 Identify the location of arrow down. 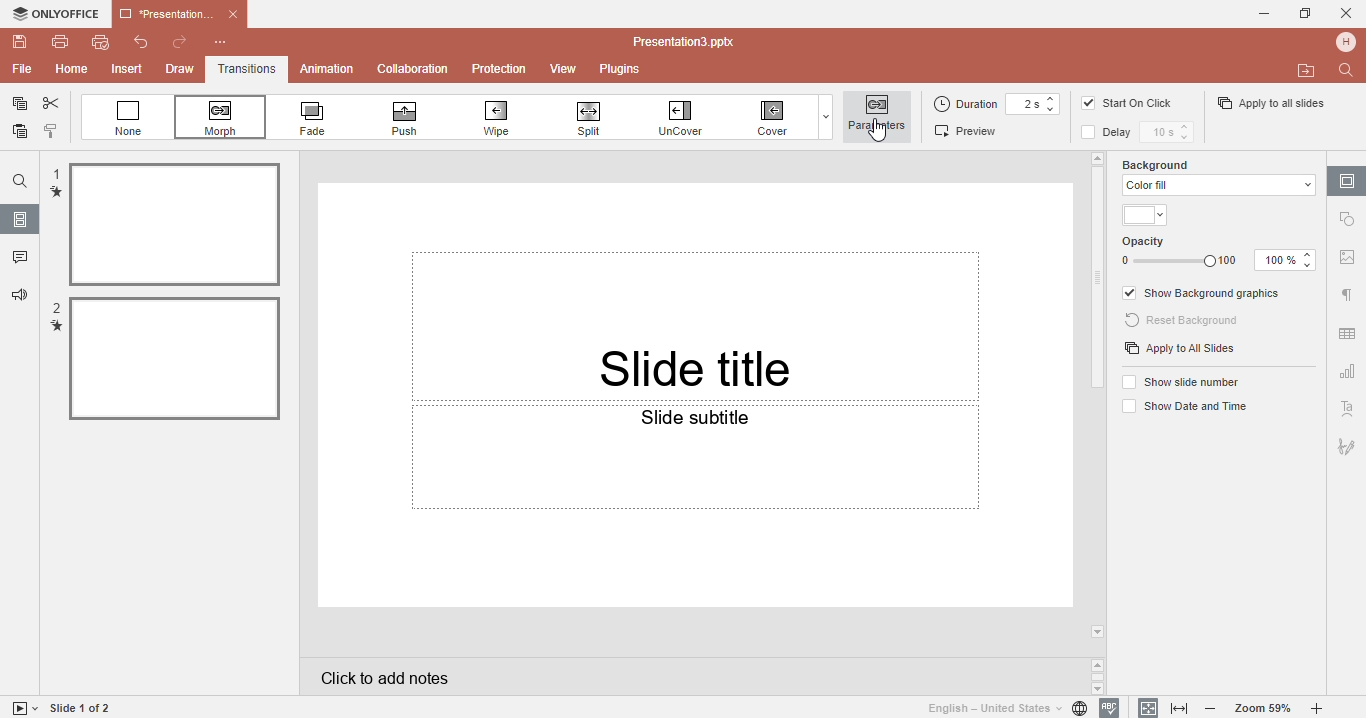
(1099, 632).